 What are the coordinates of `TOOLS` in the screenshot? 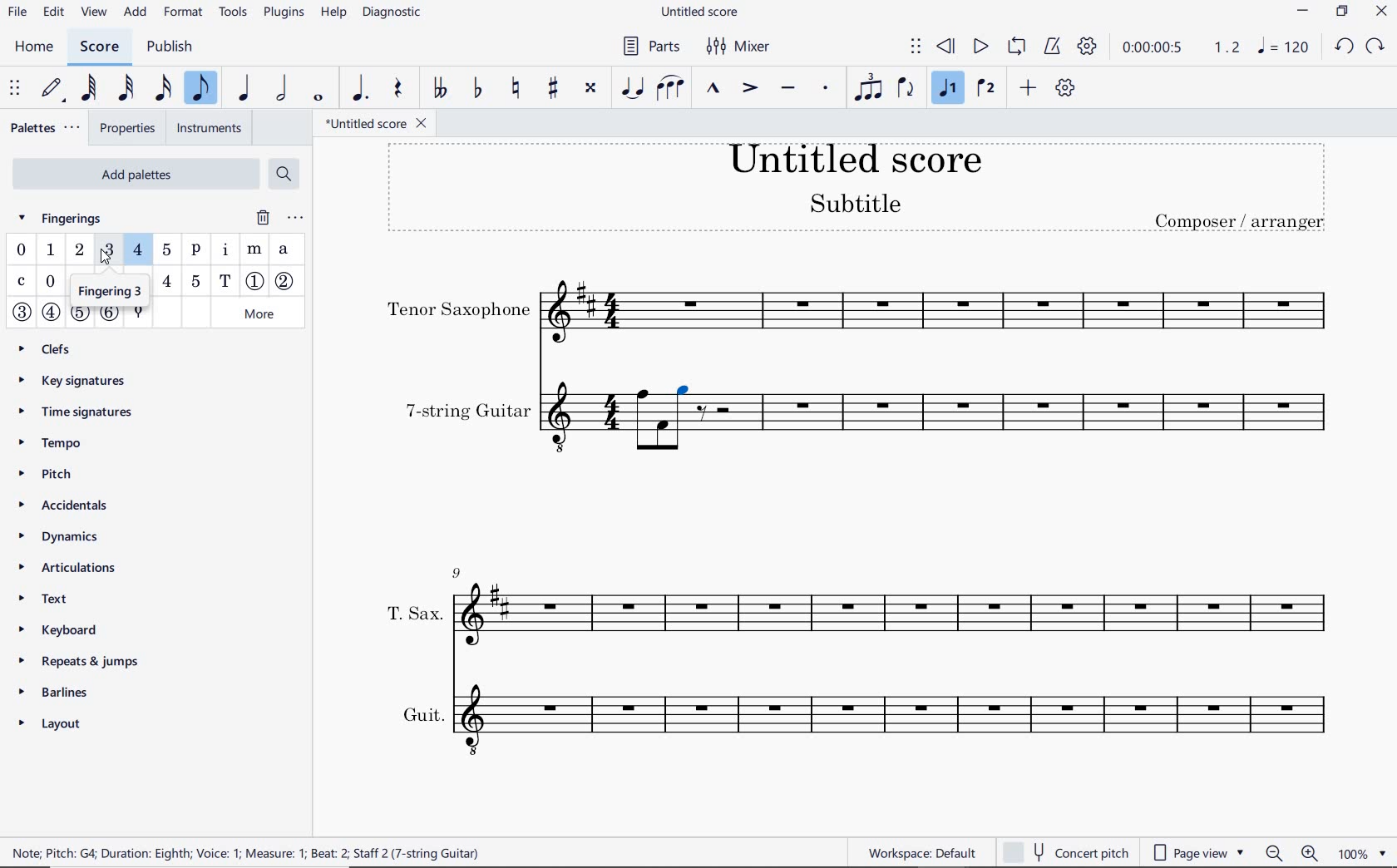 It's located at (234, 13).